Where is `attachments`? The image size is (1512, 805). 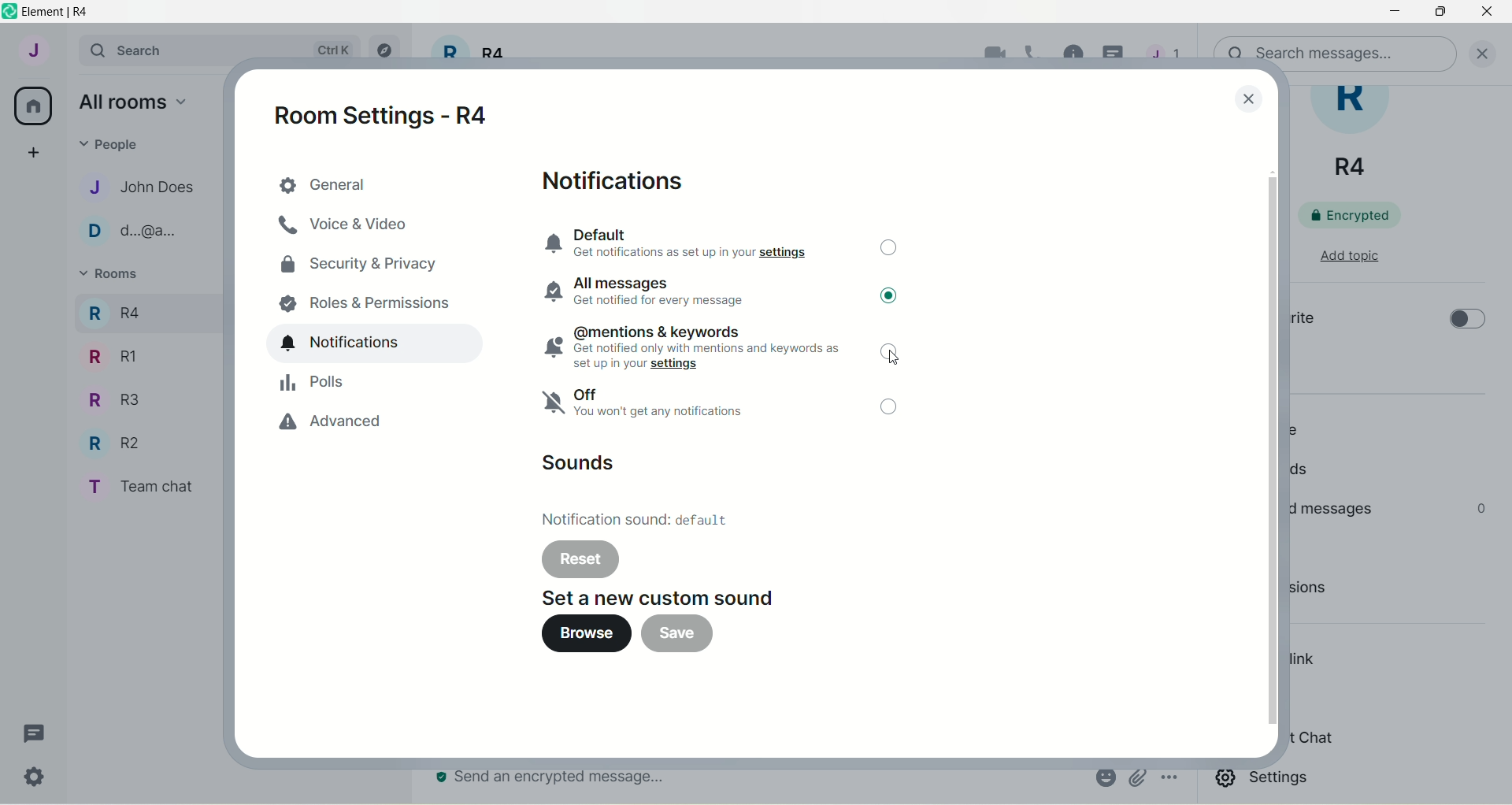
attachments is located at coordinates (1137, 778).